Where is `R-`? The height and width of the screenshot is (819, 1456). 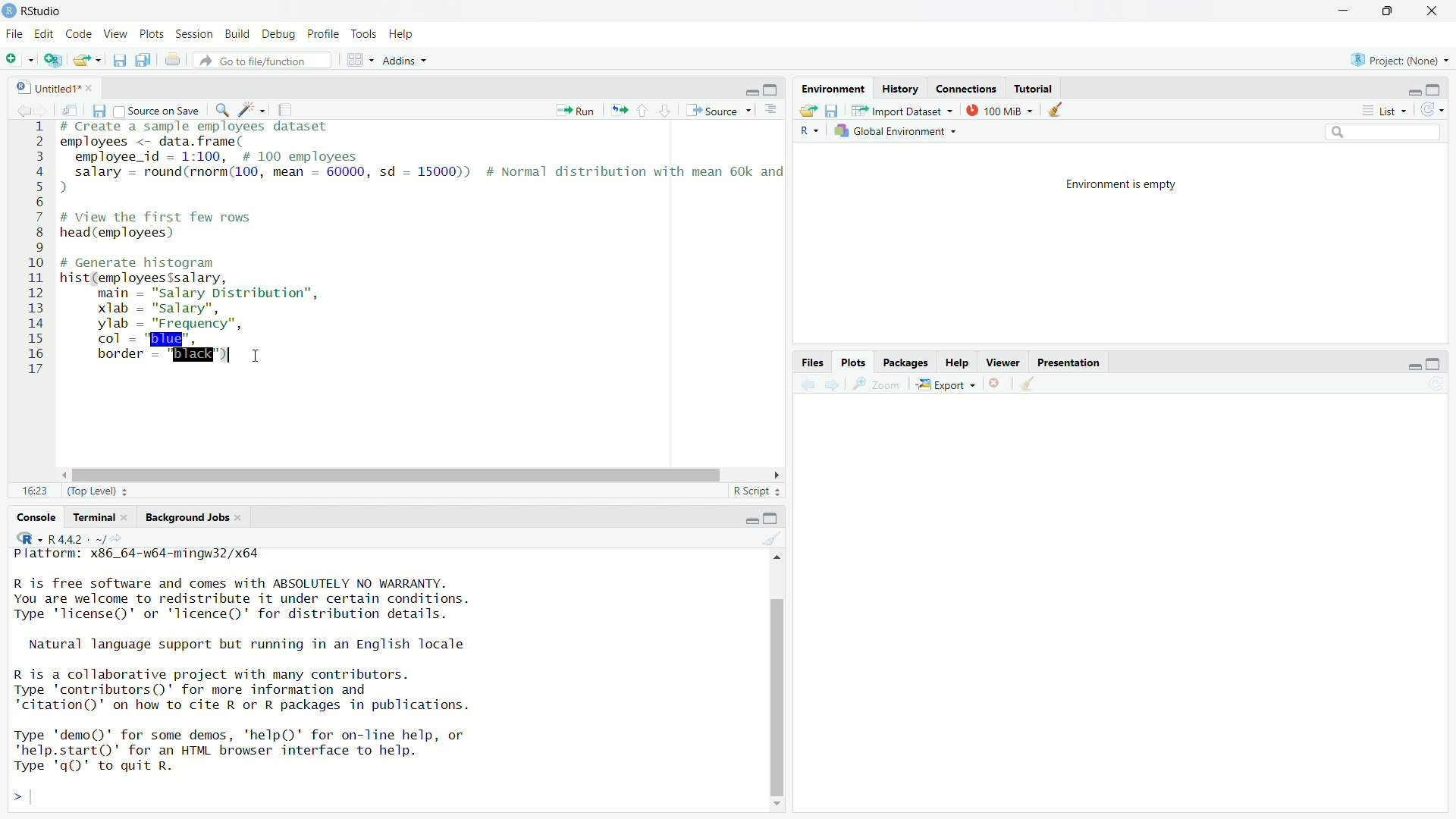
R- is located at coordinates (29, 538).